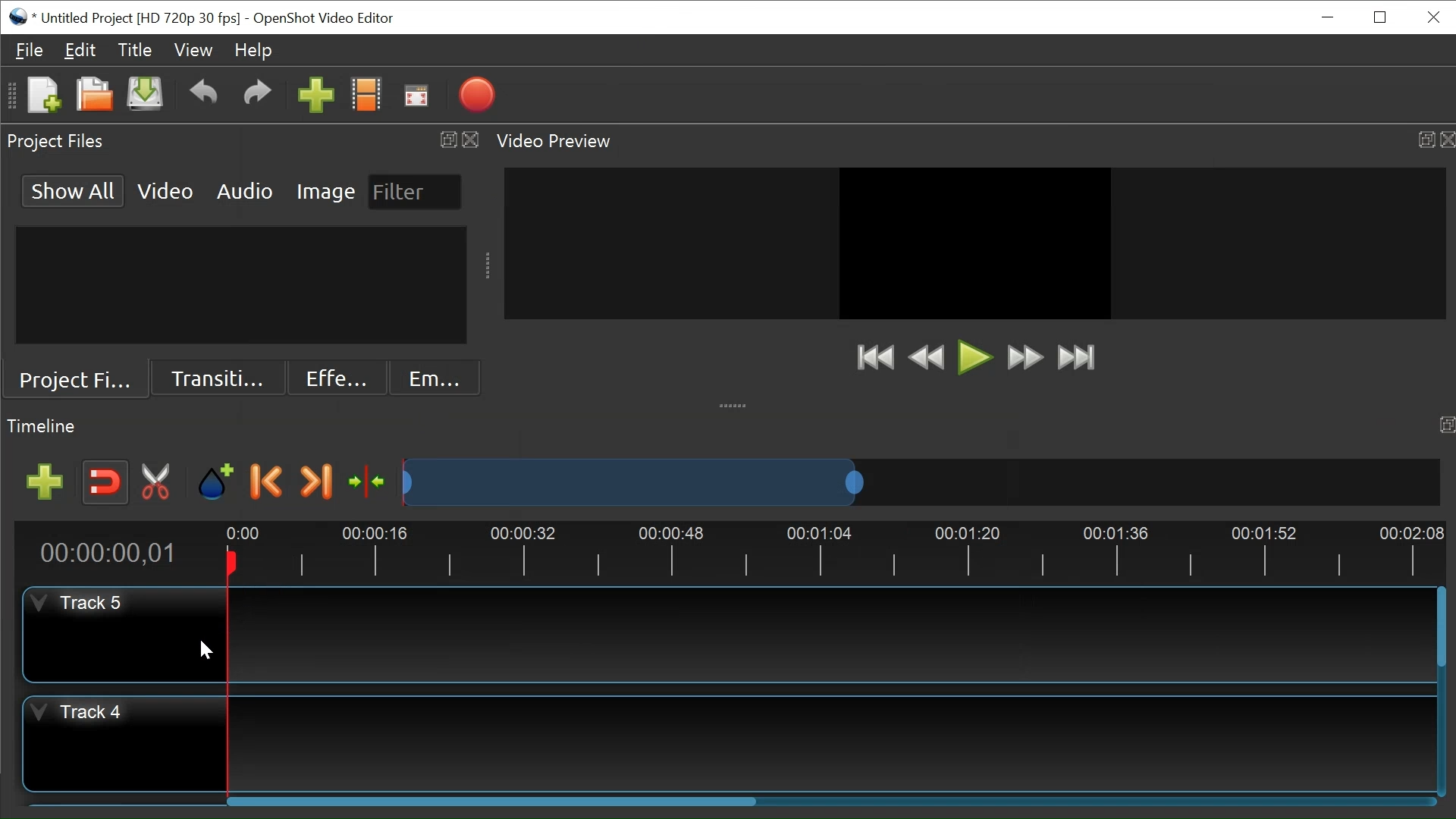  I want to click on View, so click(193, 51).